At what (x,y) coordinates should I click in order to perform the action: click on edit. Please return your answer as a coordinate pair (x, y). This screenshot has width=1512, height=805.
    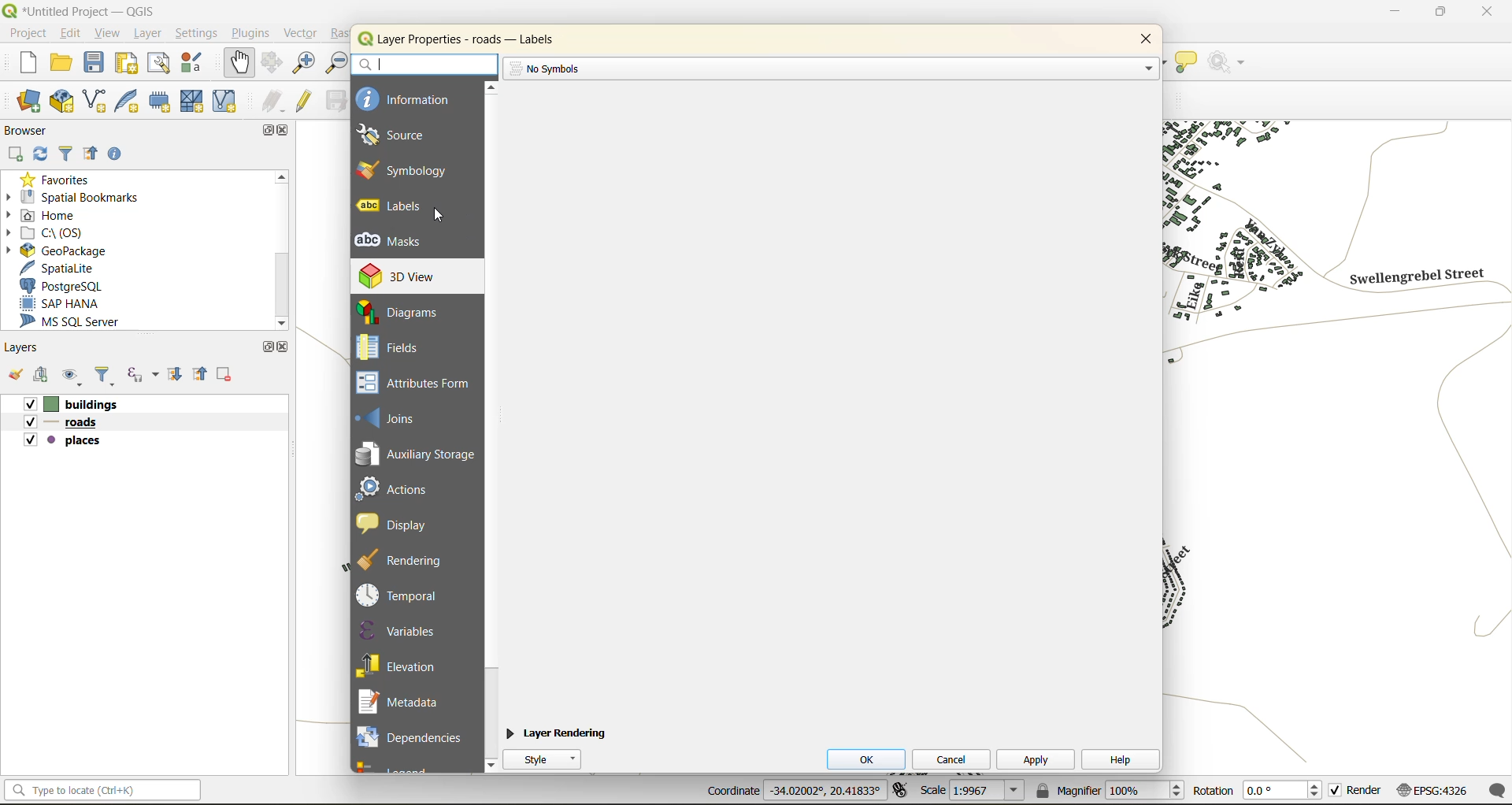
    Looking at the image, I should click on (72, 35).